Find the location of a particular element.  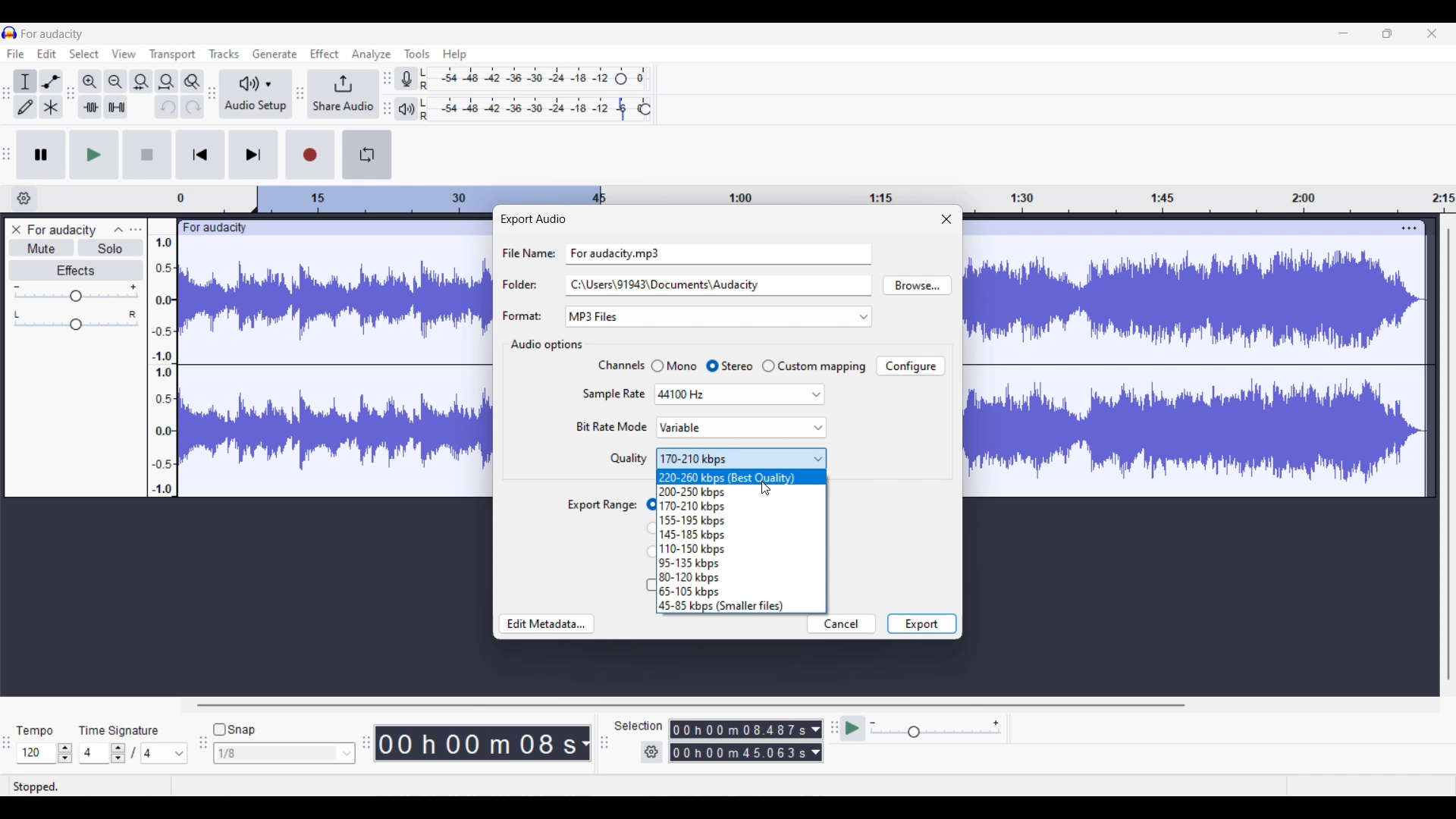

Current timestamp of track is located at coordinates (473, 742).